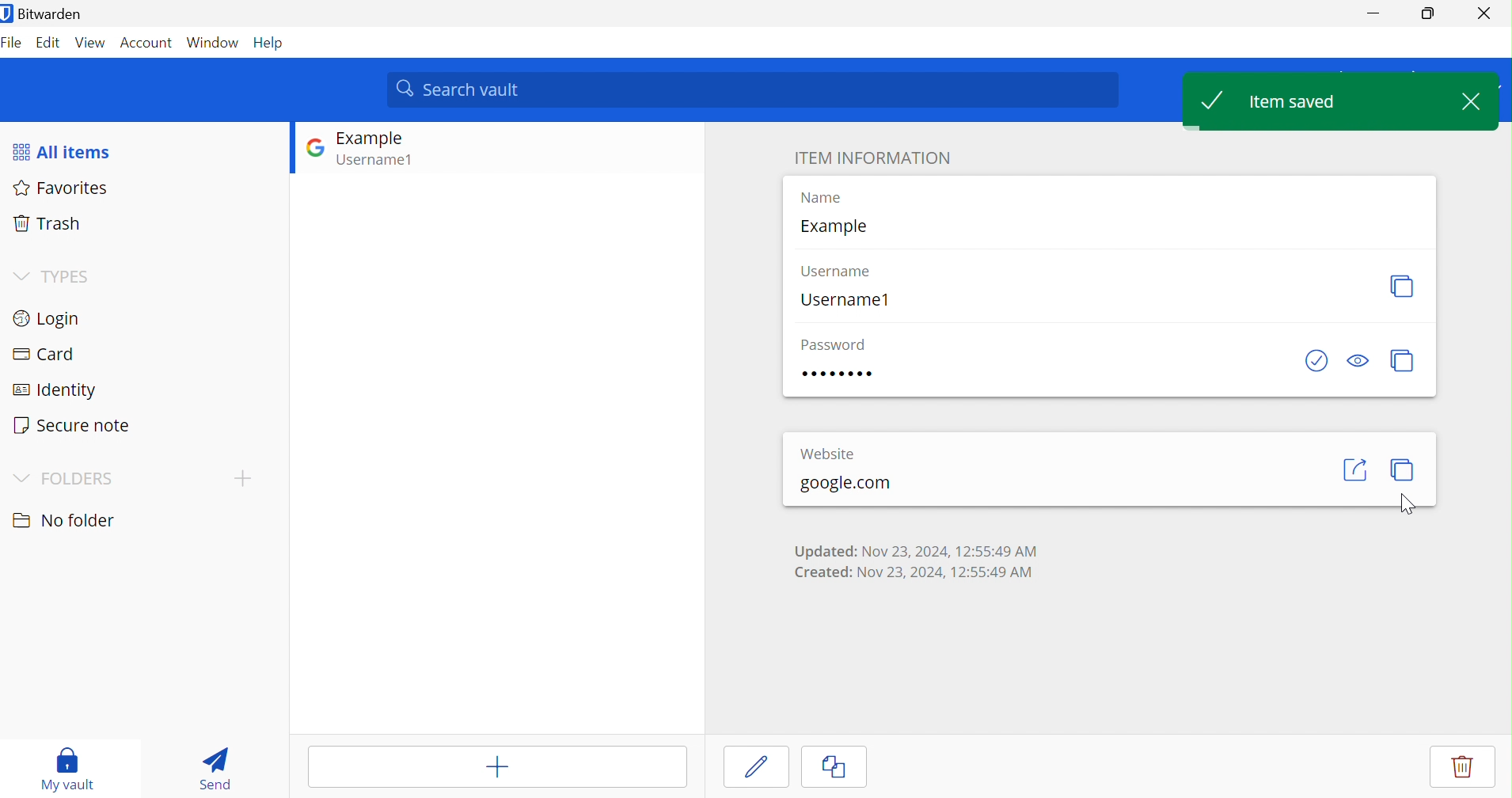 The image size is (1512, 798). I want to click on Copy Password, so click(1403, 360).